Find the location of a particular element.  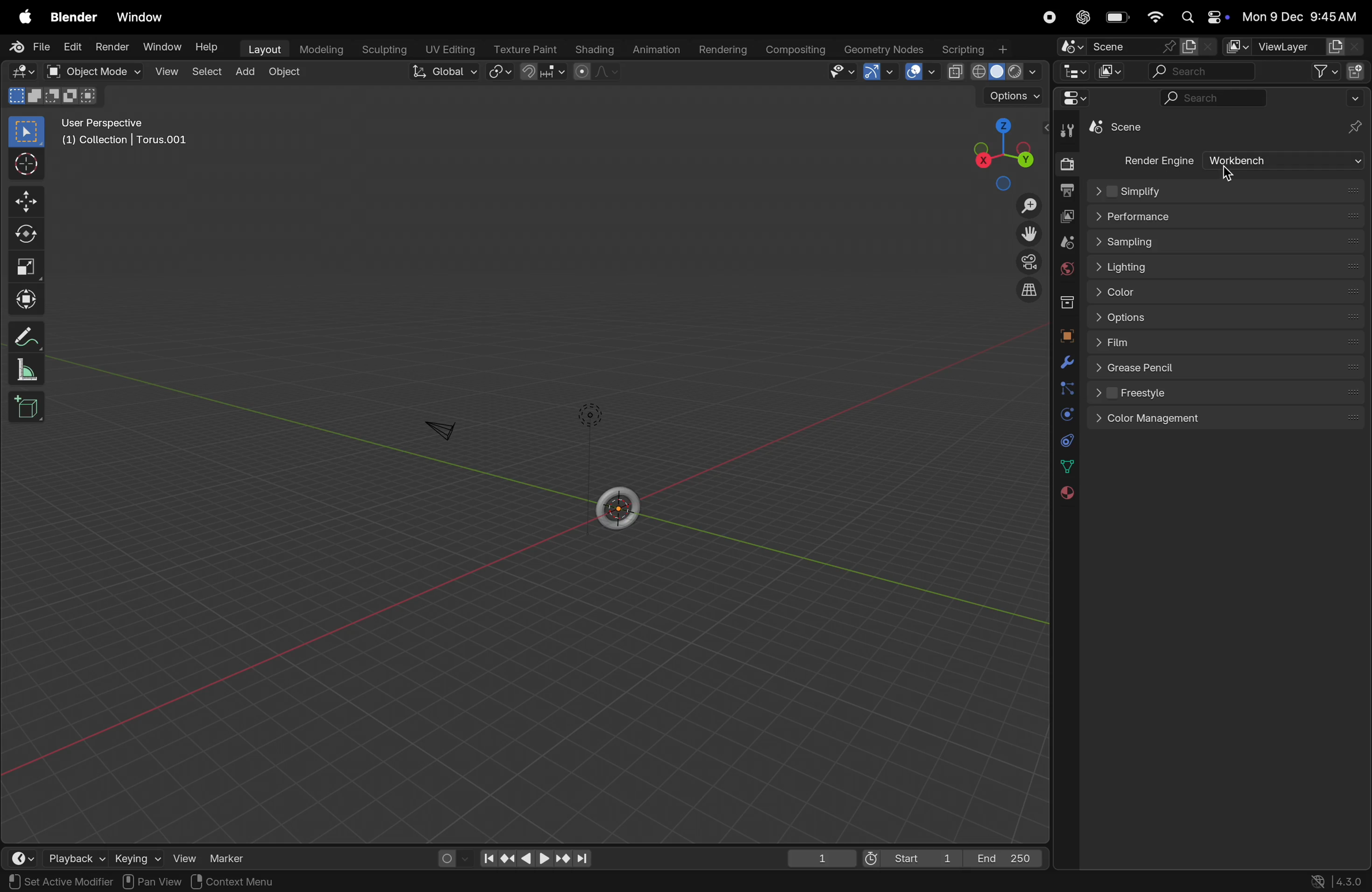

Scripting is located at coordinates (979, 49).